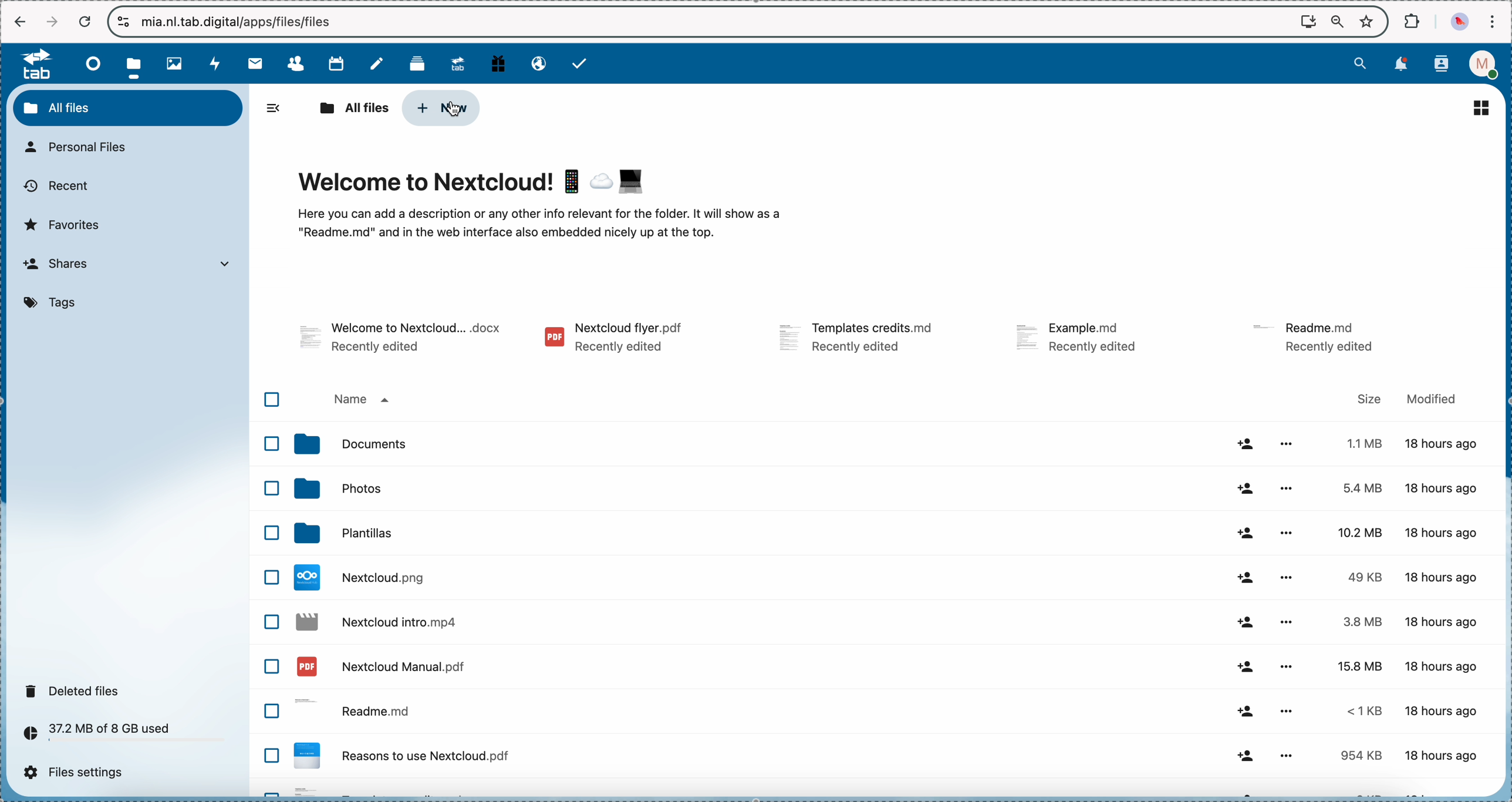 The image size is (1512, 802). I want to click on favorites, so click(66, 224).